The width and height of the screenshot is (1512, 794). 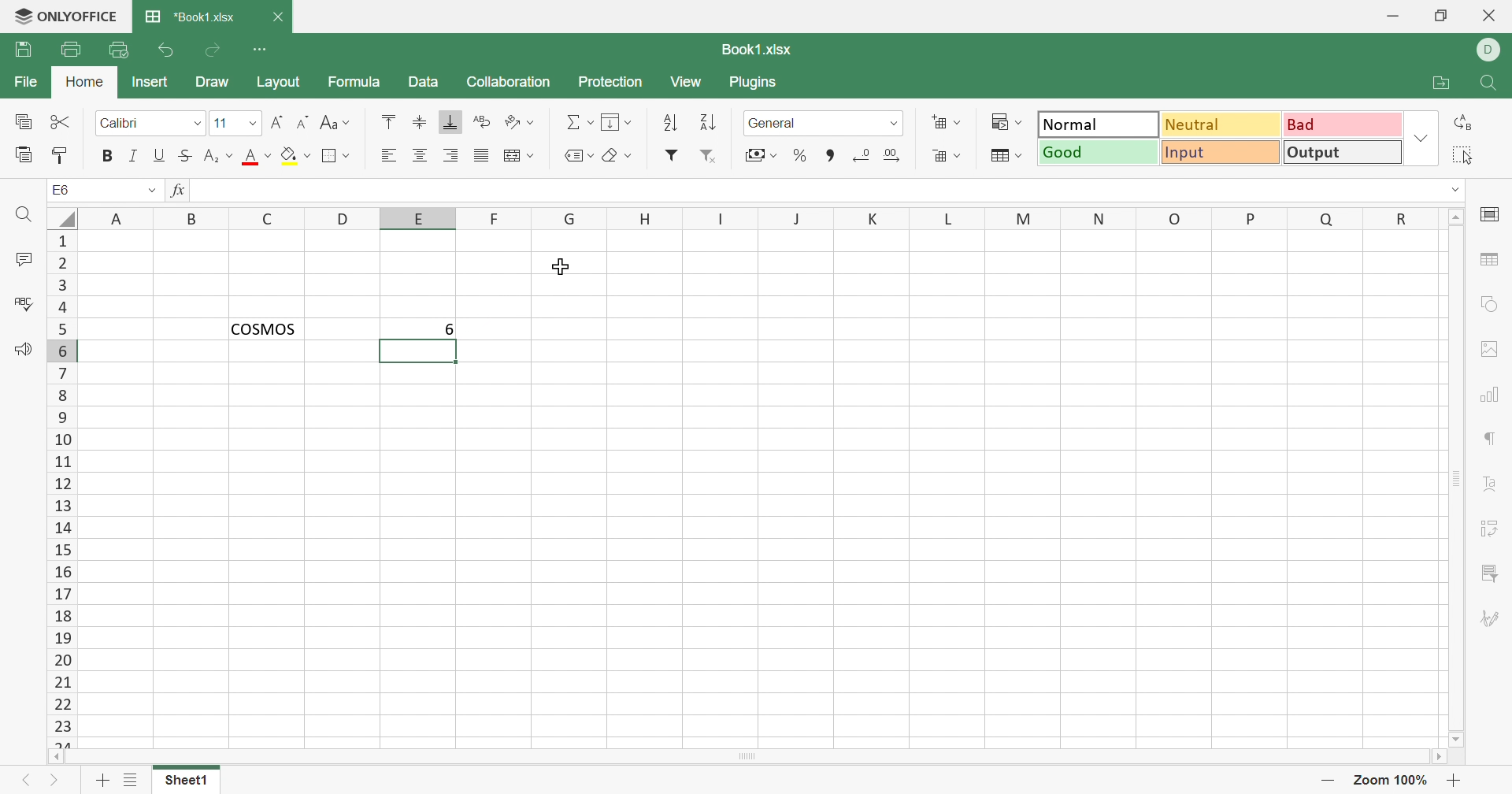 What do you see at coordinates (619, 157) in the screenshot?
I see `Clear` at bounding box center [619, 157].